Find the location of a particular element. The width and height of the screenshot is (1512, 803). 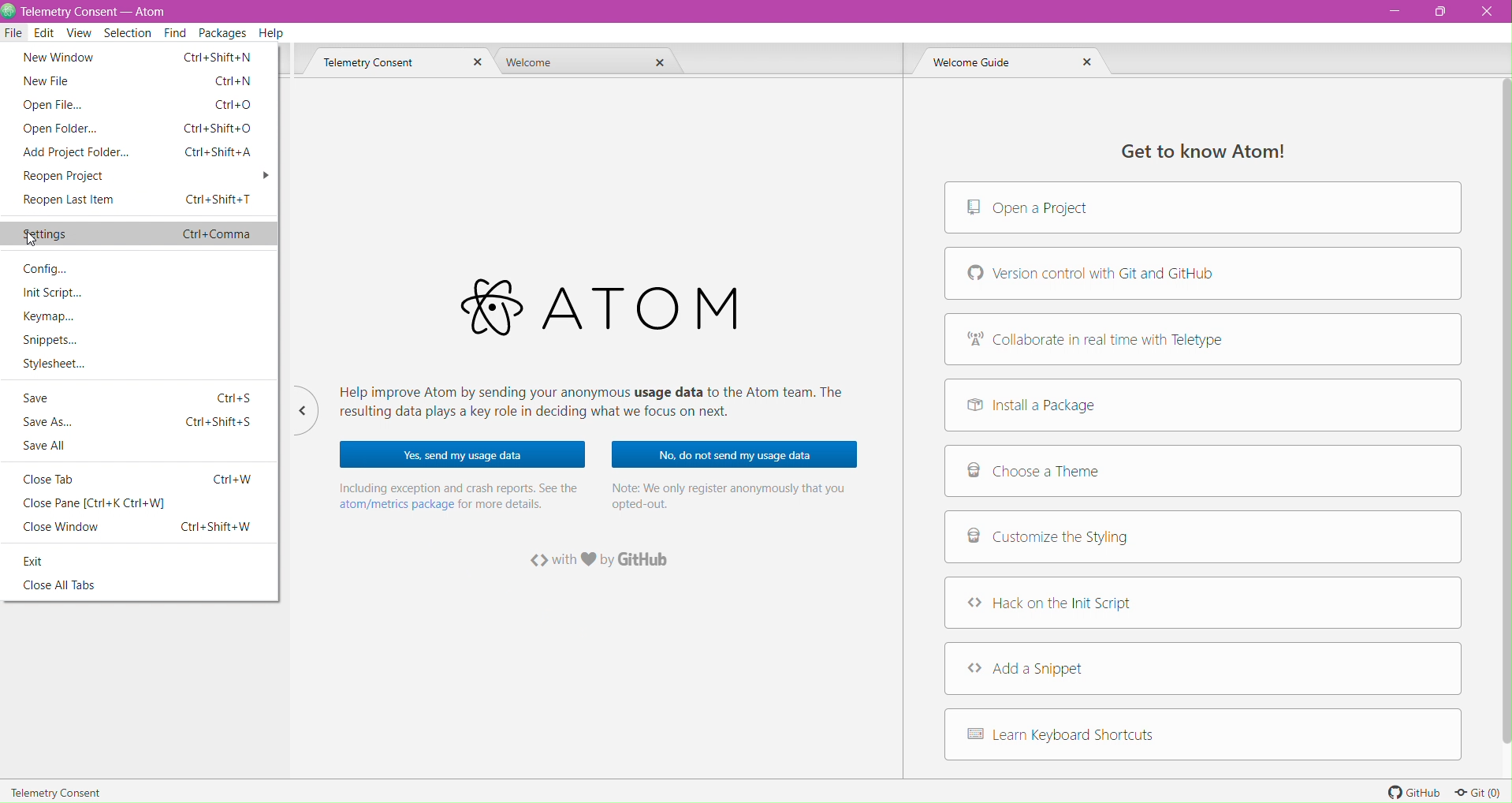

New File is located at coordinates (140, 81).